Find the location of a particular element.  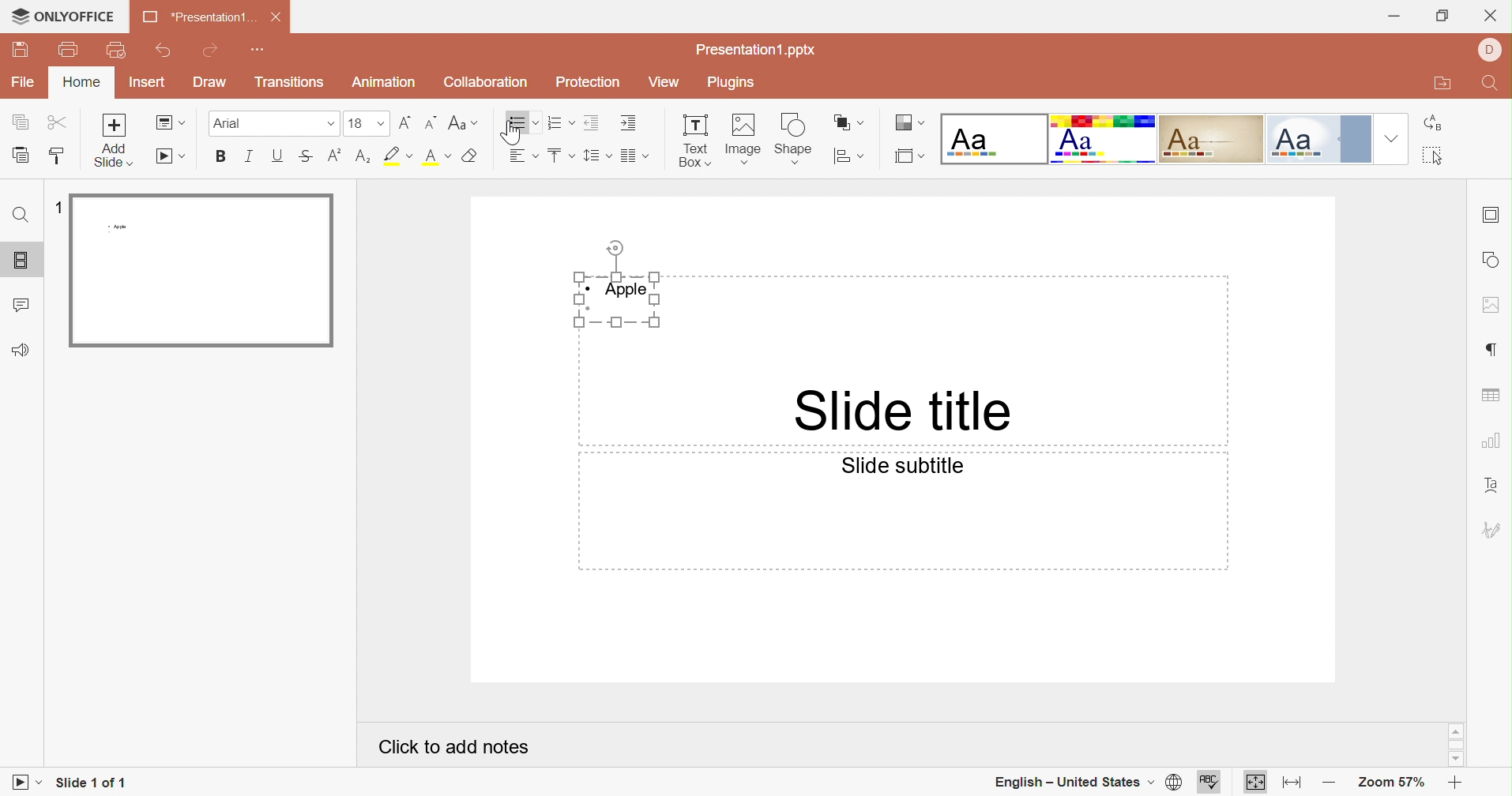

Highlight font is located at coordinates (399, 156).